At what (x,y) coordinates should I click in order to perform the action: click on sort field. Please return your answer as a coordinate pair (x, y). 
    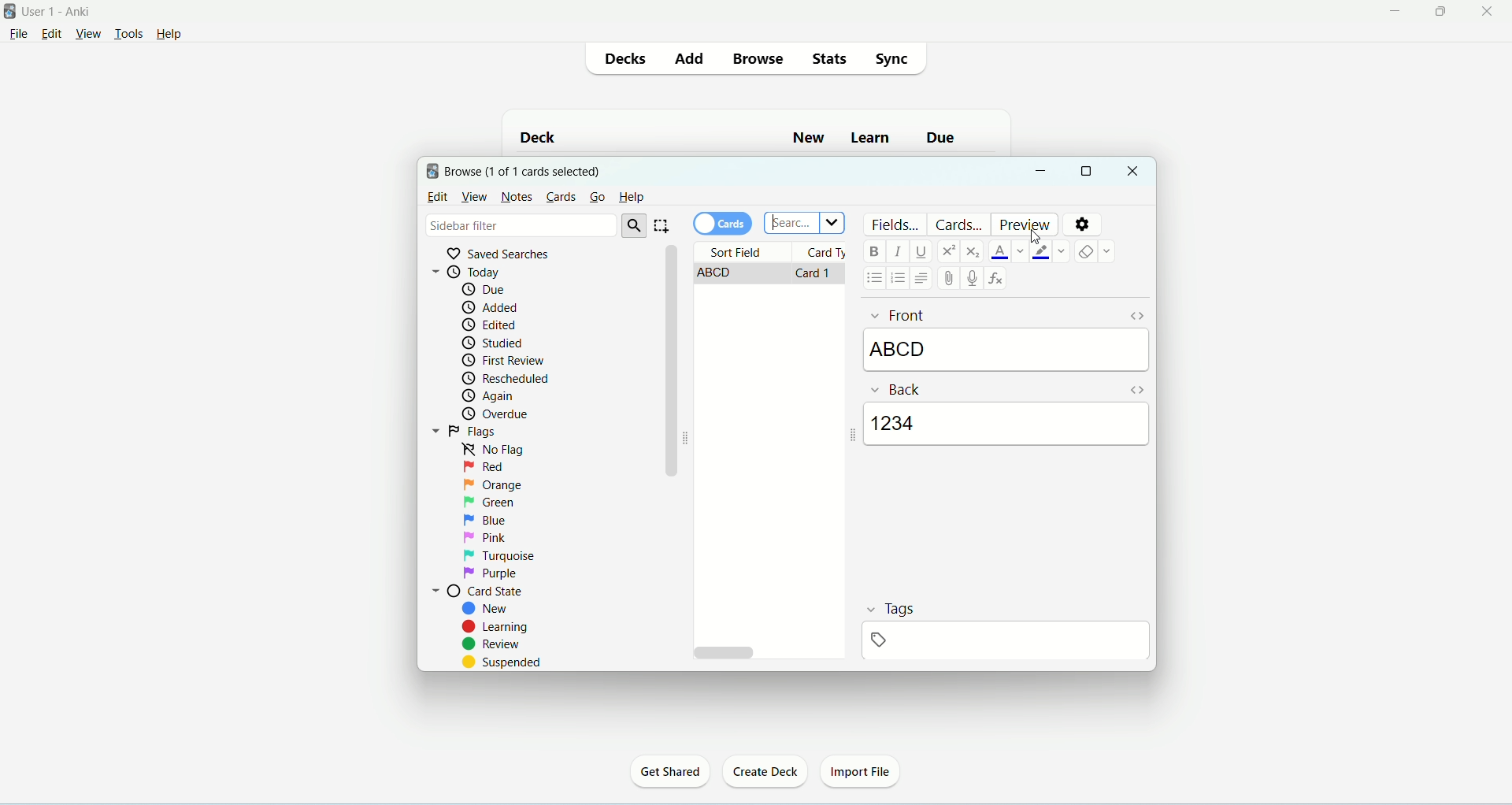
    Looking at the image, I should click on (743, 253).